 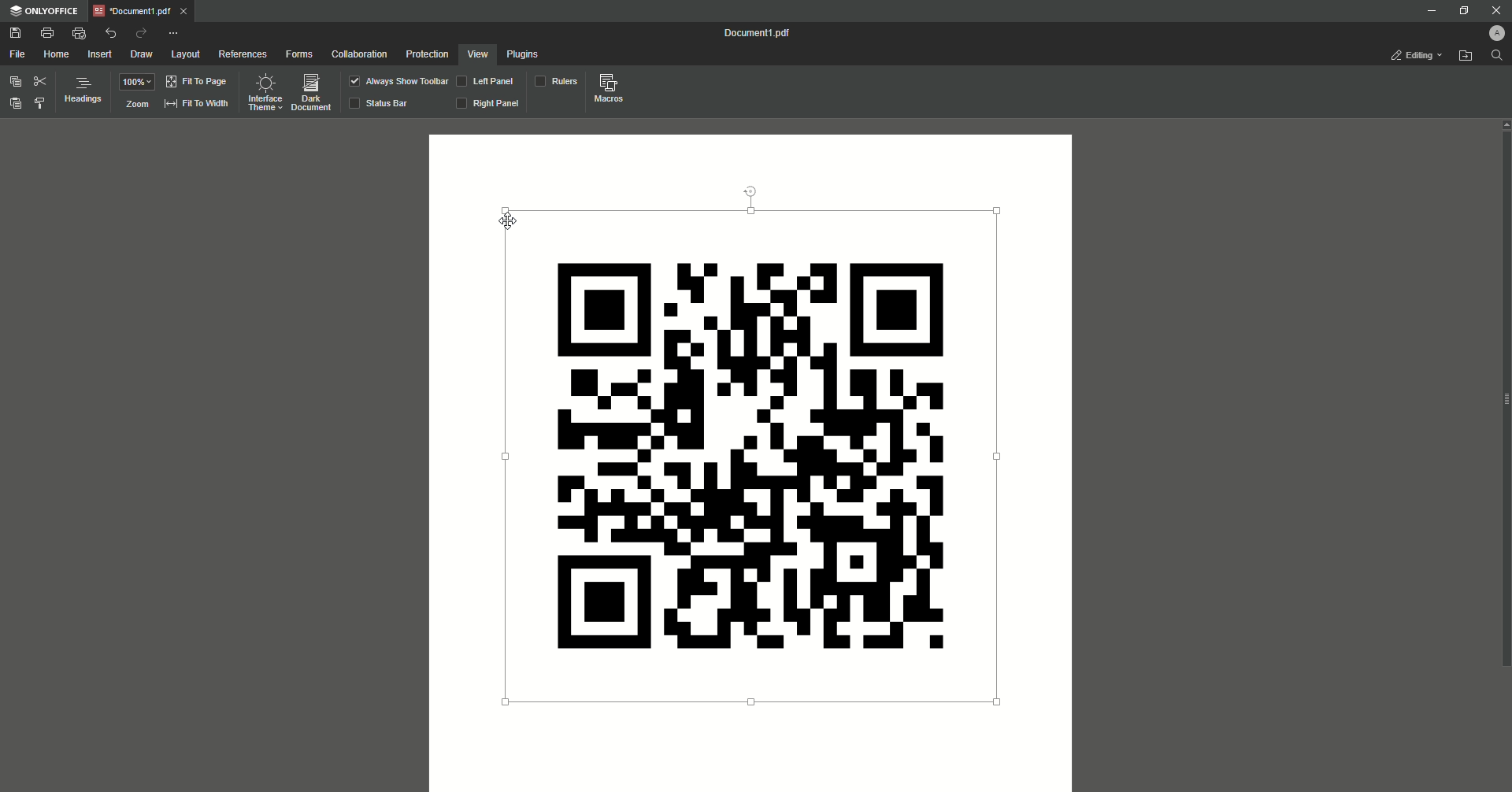 I want to click on QR Code, so click(x=756, y=446).